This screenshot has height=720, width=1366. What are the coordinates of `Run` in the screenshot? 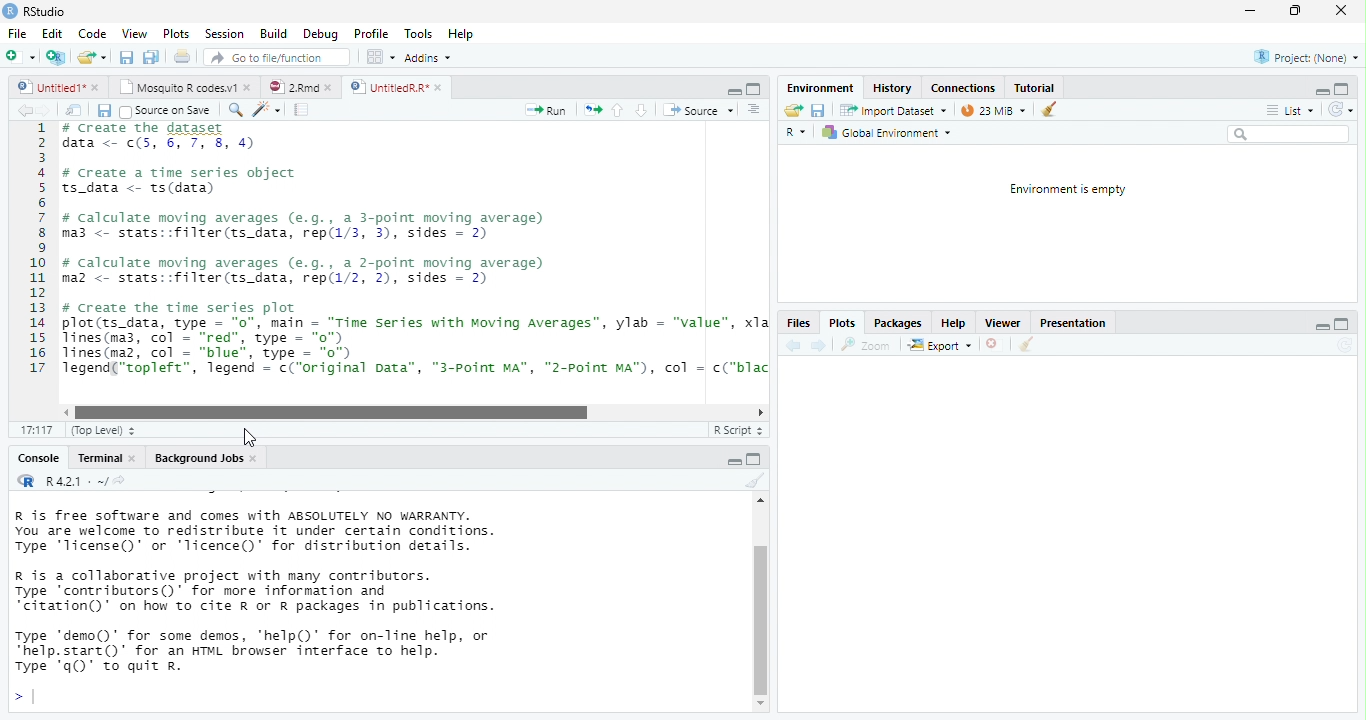 It's located at (547, 111).